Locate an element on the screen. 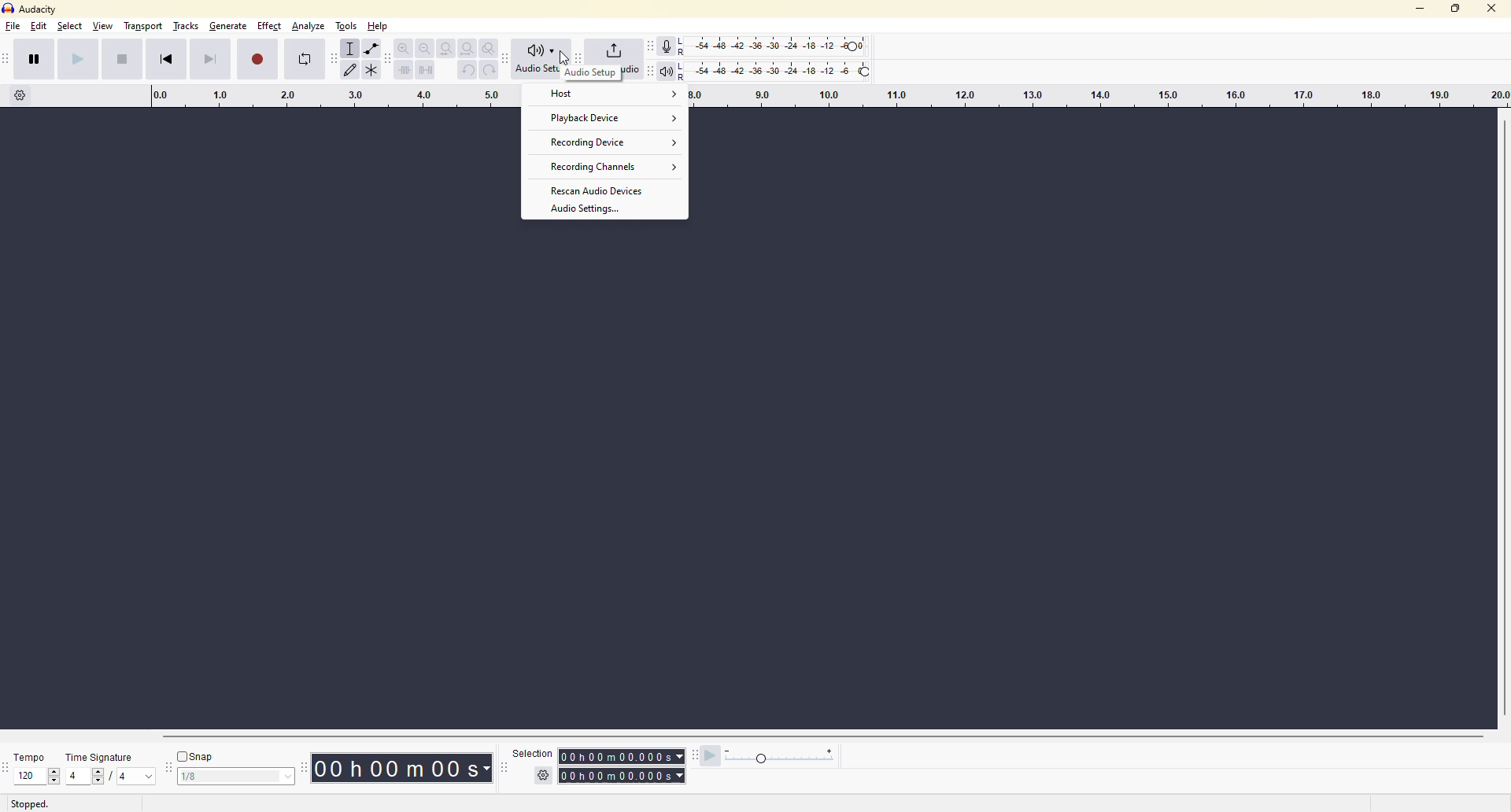 The width and height of the screenshot is (1511, 812). tracks is located at coordinates (183, 28).